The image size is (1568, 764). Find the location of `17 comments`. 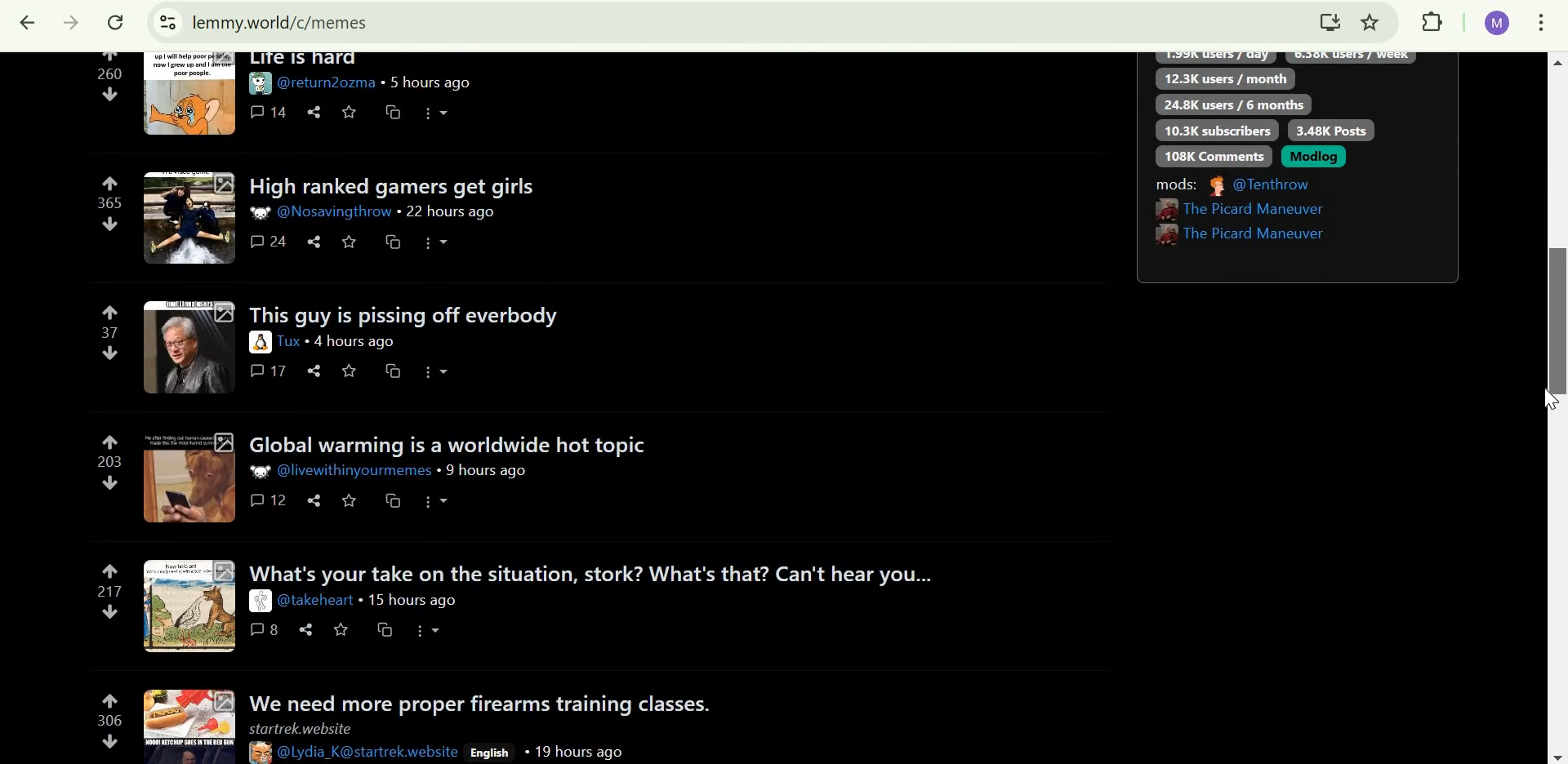

17 comments is located at coordinates (266, 371).